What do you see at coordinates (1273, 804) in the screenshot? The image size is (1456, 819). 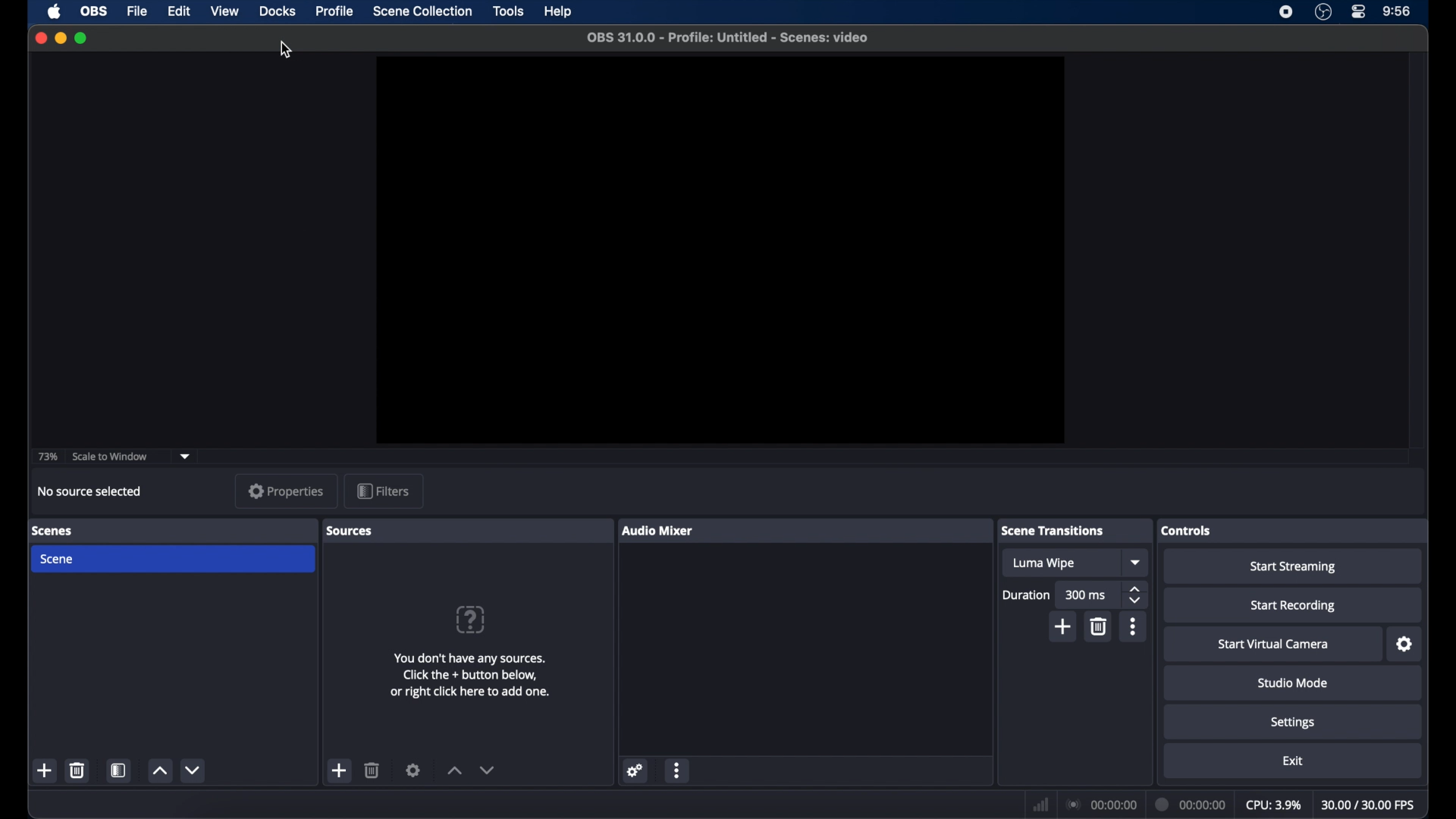 I see `cpu` at bounding box center [1273, 804].